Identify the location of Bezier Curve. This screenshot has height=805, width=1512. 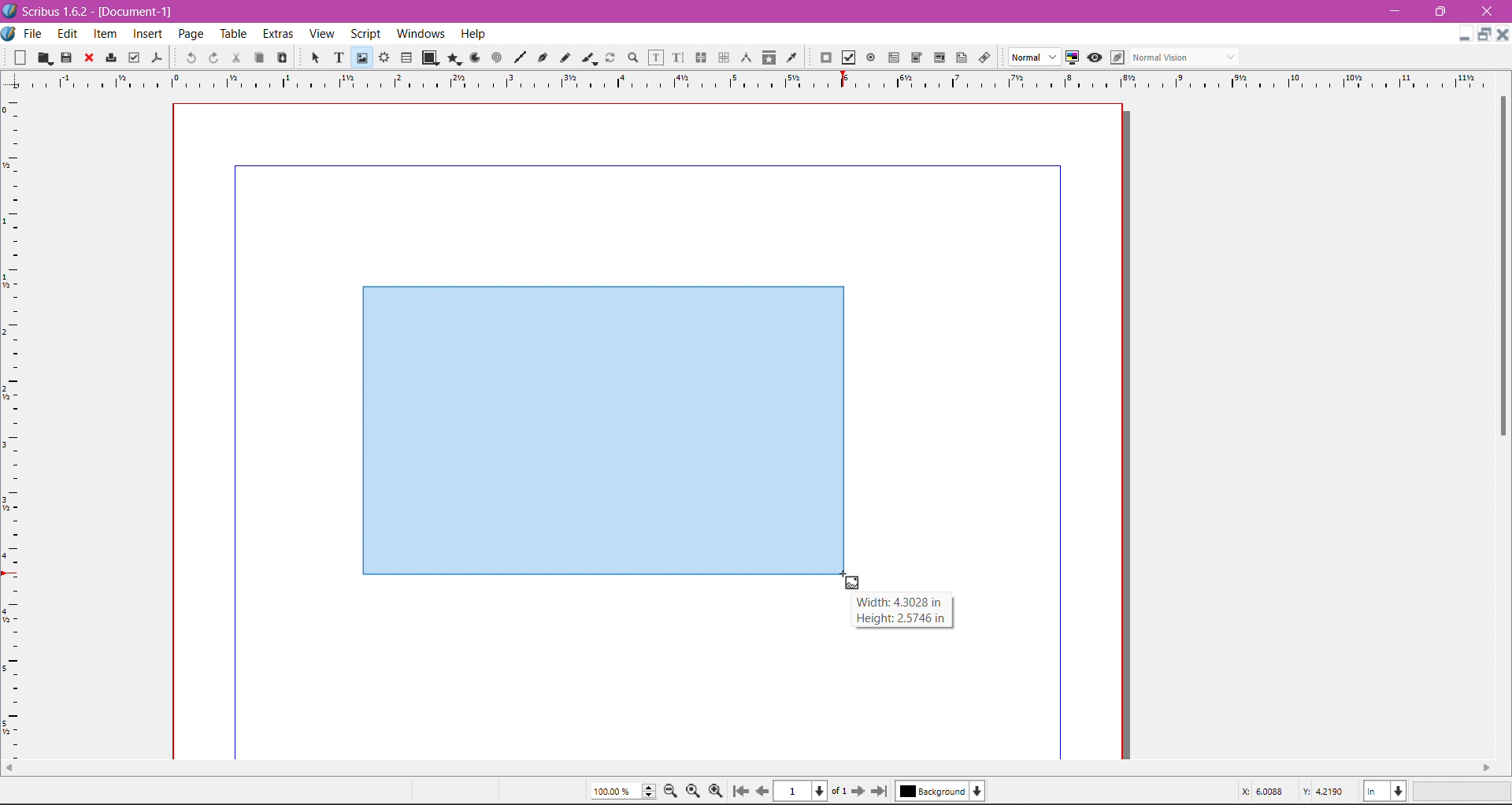
(543, 59).